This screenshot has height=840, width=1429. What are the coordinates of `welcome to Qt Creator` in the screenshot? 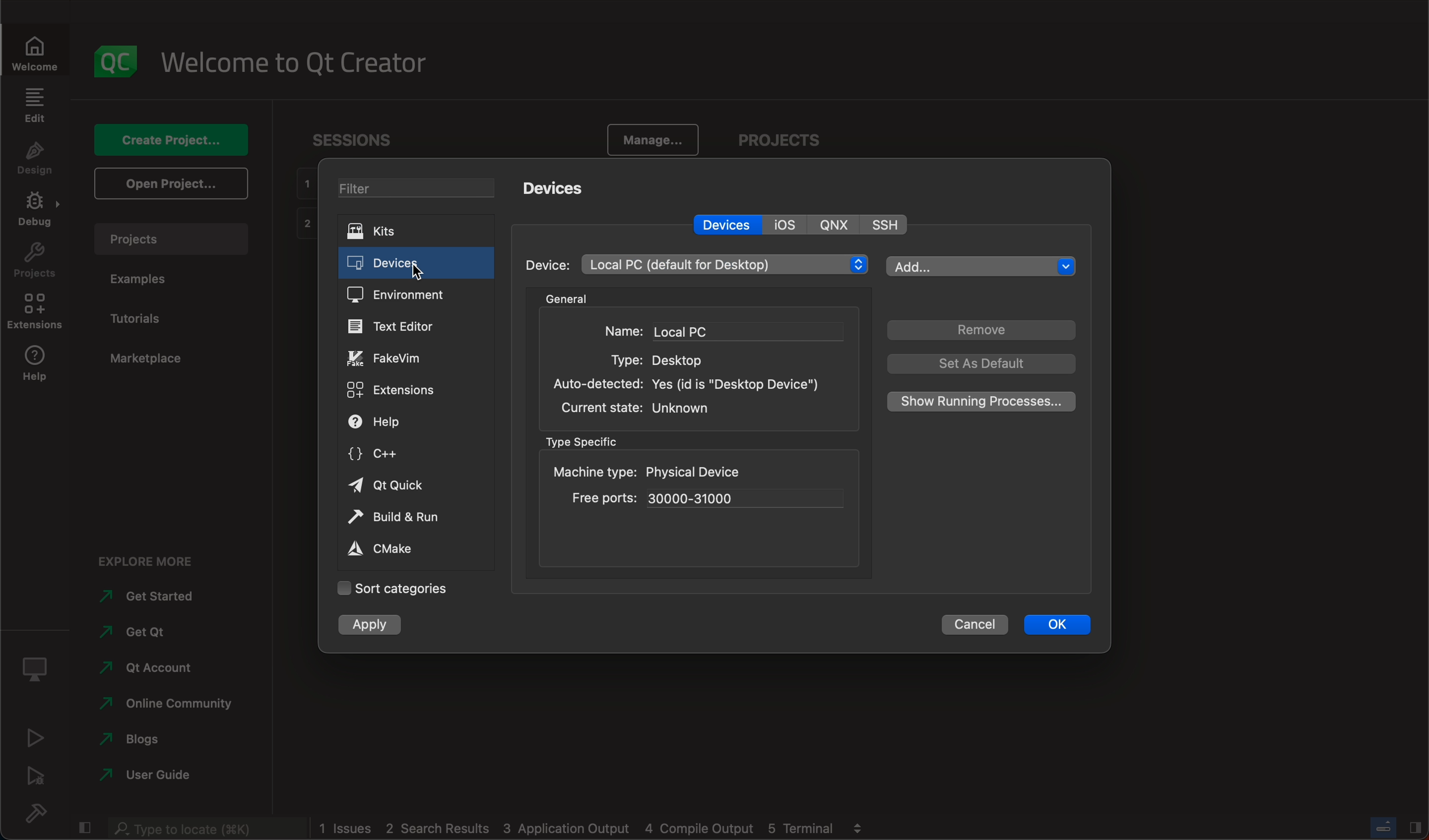 It's located at (298, 63).